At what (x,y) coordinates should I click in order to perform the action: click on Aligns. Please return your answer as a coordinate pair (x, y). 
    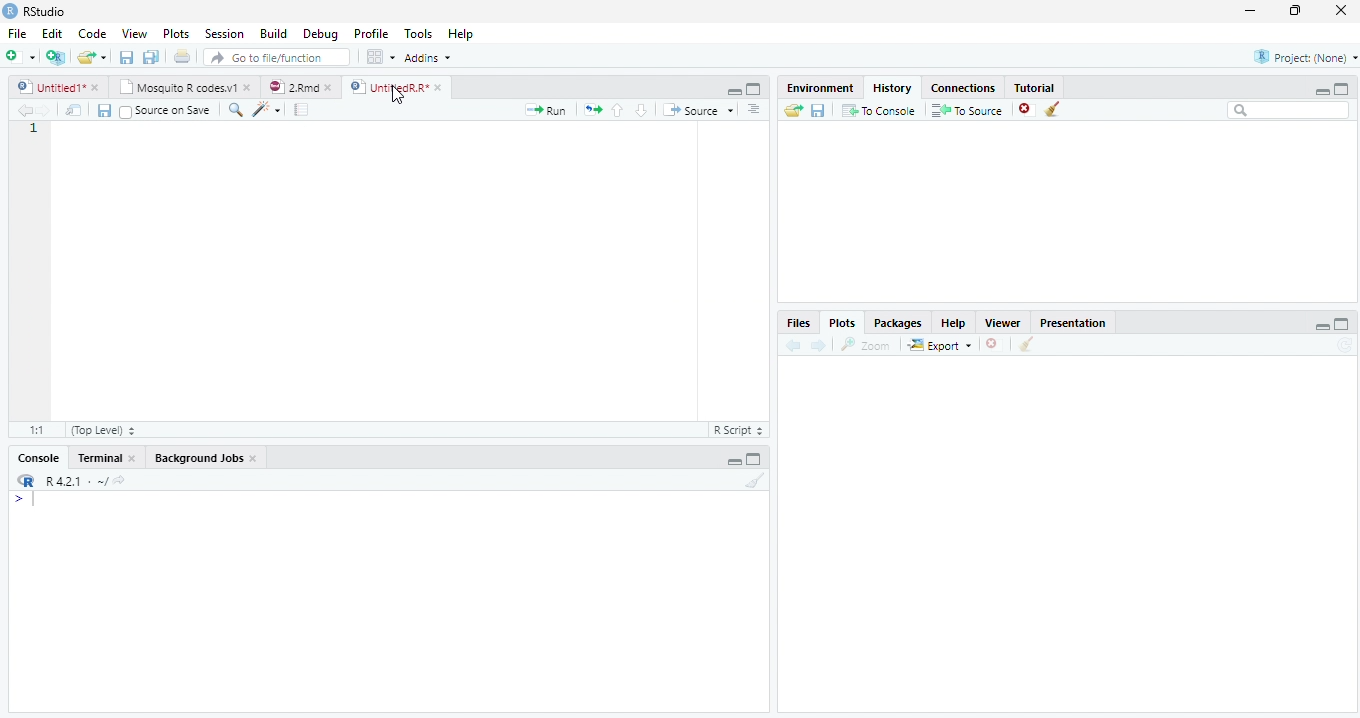
    Looking at the image, I should click on (755, 110).